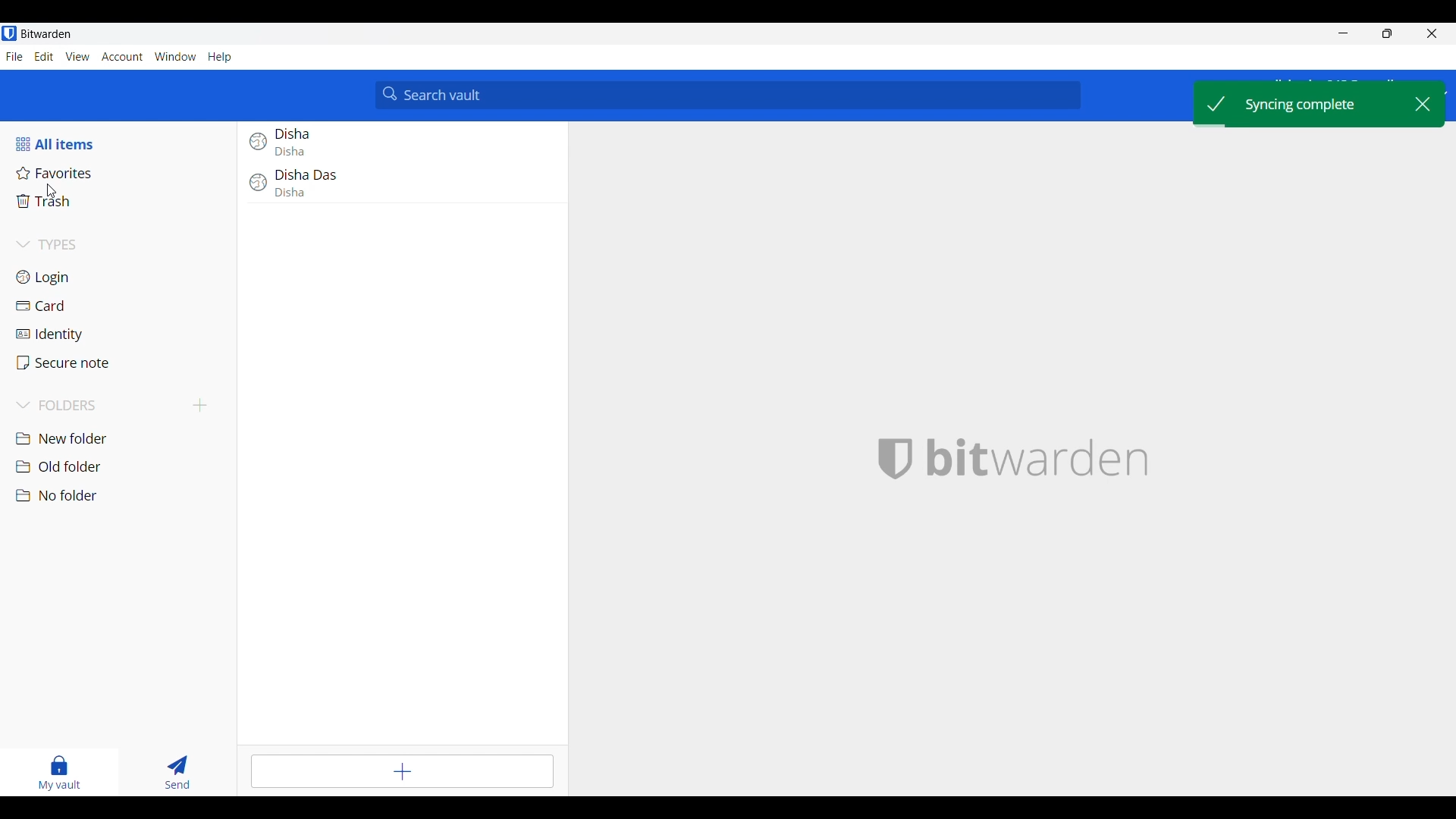  What do you see at coordinates (1423, 104) in the screenshot?
I see `Close pop up` at bounding box center [1423, 104].